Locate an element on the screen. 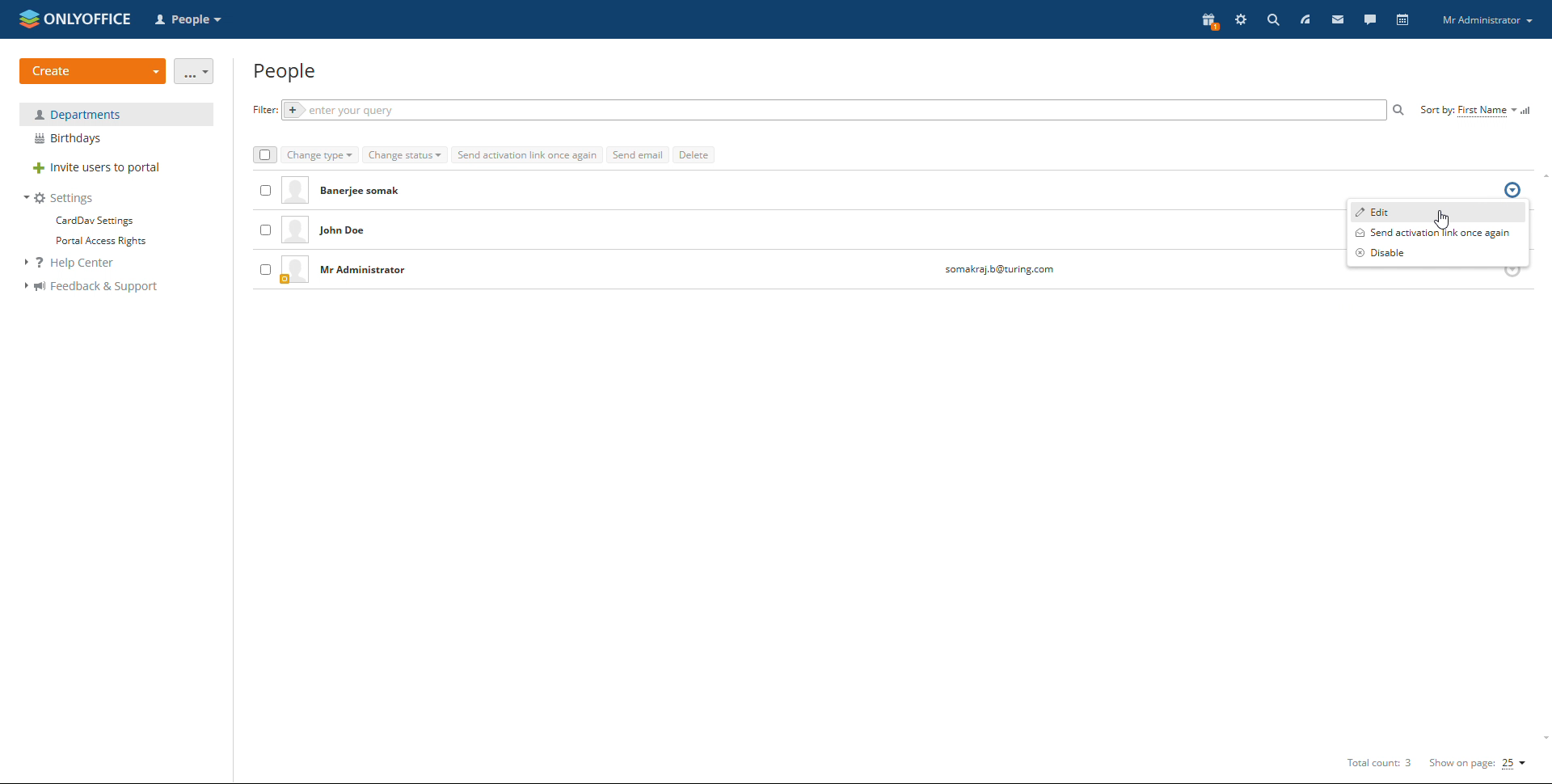 Image resolution: width=1552 pixels, height=784 pixels. present is located at coordinates (1208, 22).